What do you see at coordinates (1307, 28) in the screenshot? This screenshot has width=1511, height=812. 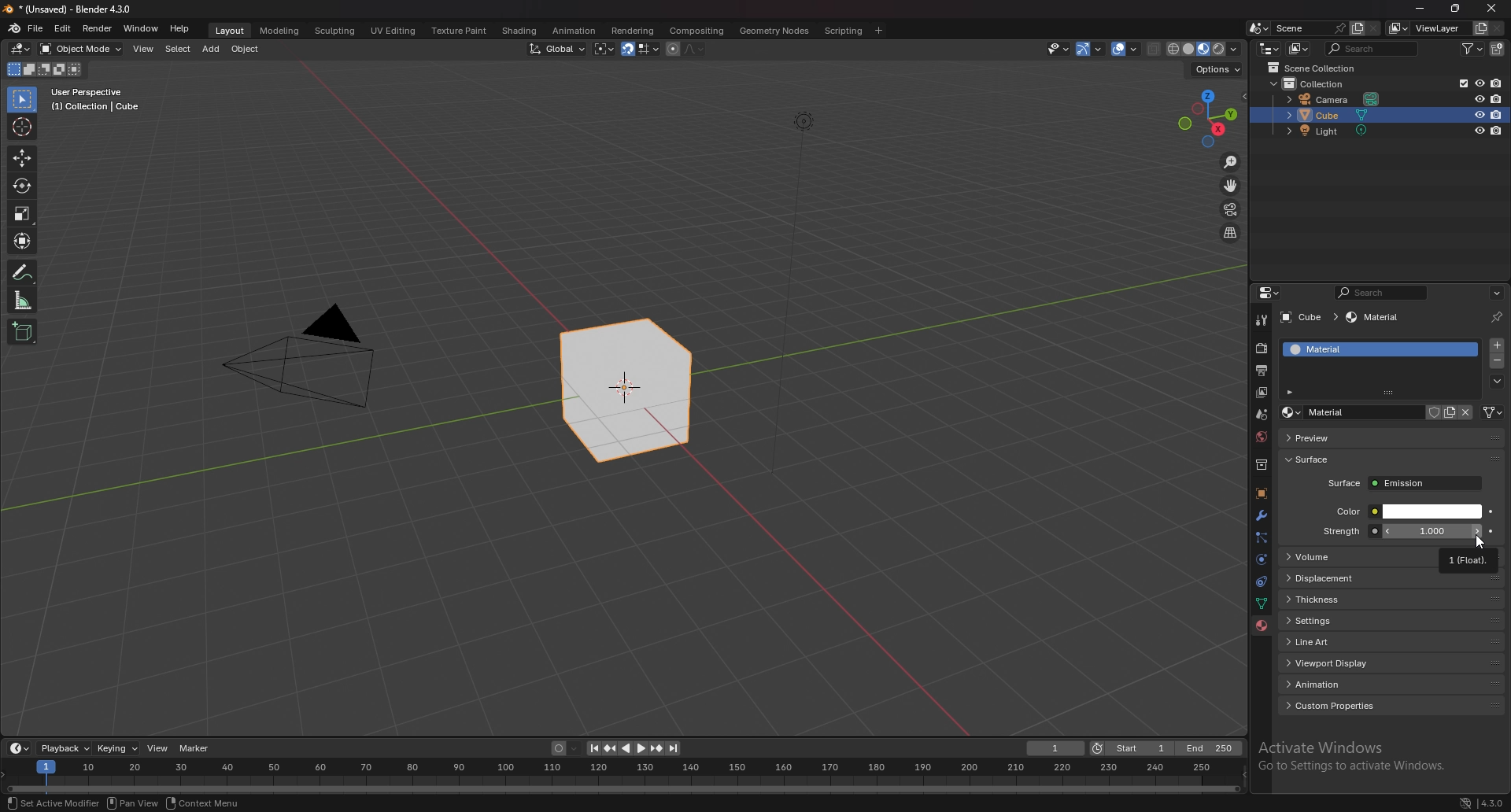 I see `scene` at bounding box center [1307, 28].